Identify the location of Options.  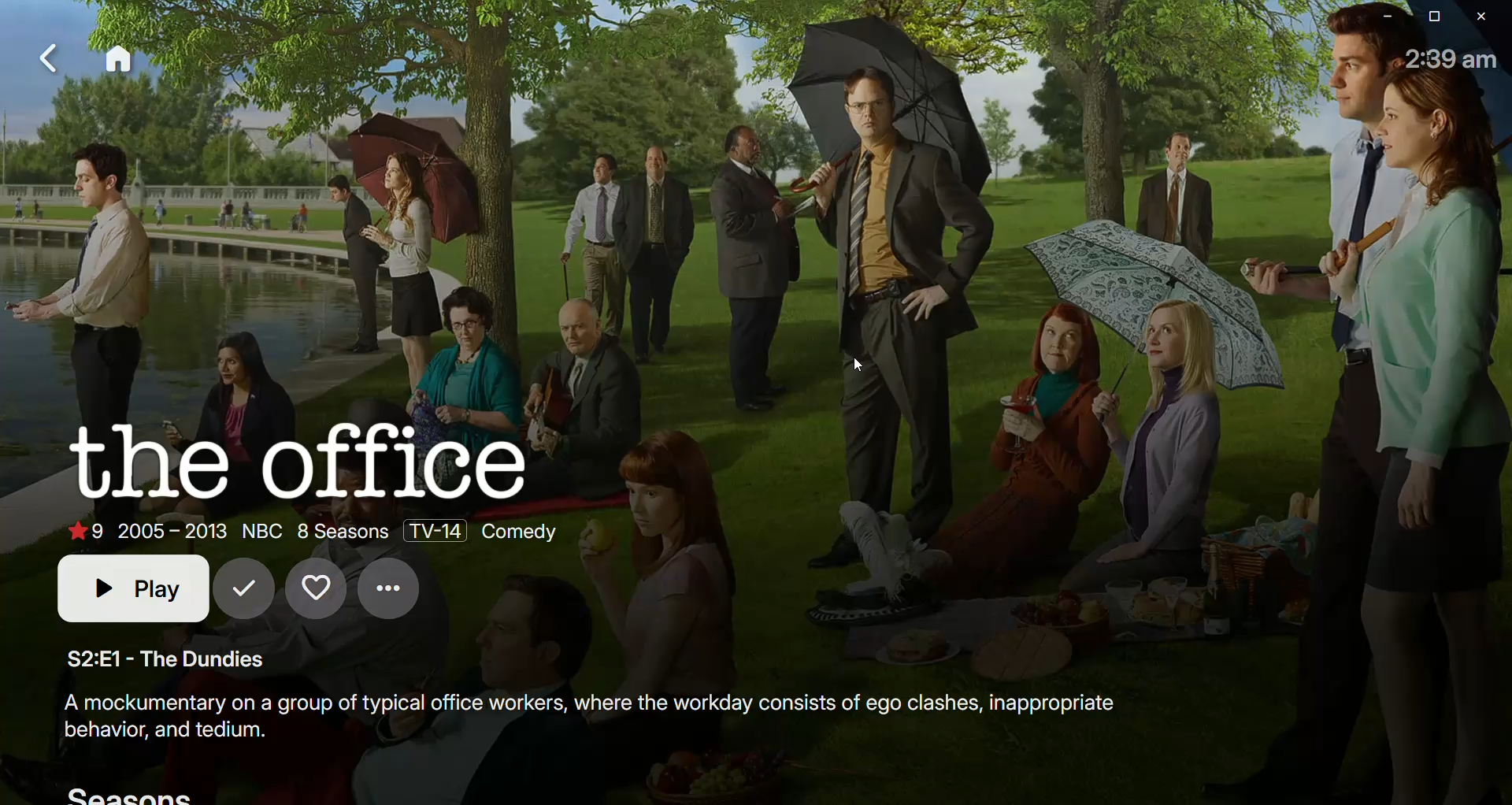
(390, 592).